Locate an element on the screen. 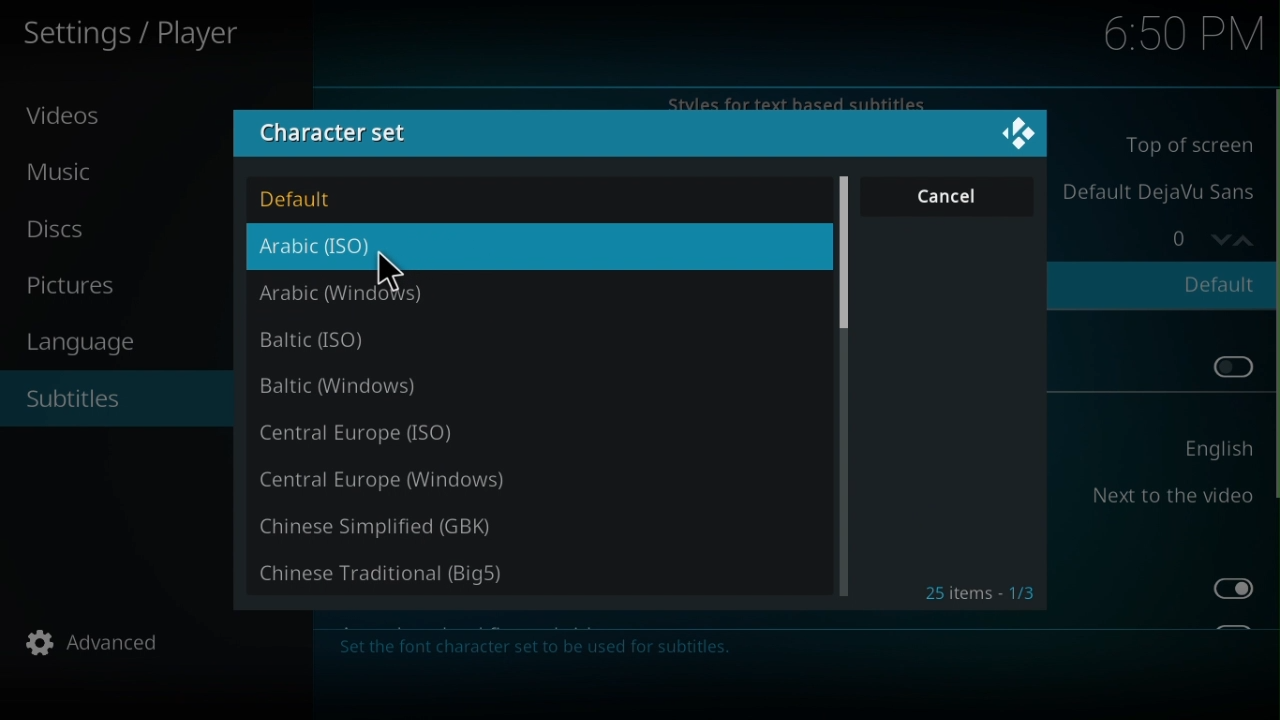 The height and width of the screenshot is (720, 1280). Toggle is located at coordinates (1229, 589).